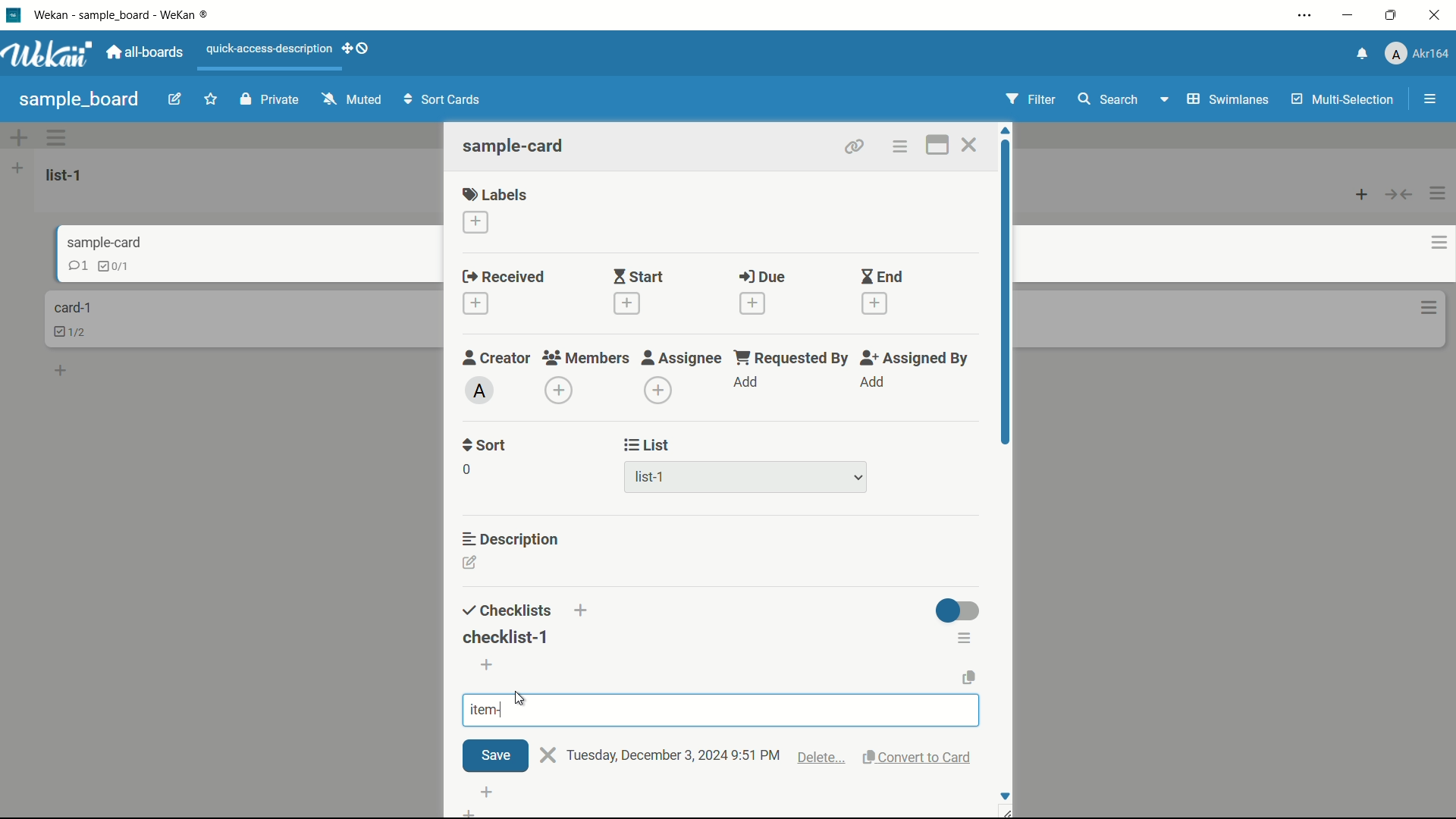 This screenshot has width=1456, height=819. Describe the element at coordinates (683, 358) in the screenshot. I see `assignee` at that location.